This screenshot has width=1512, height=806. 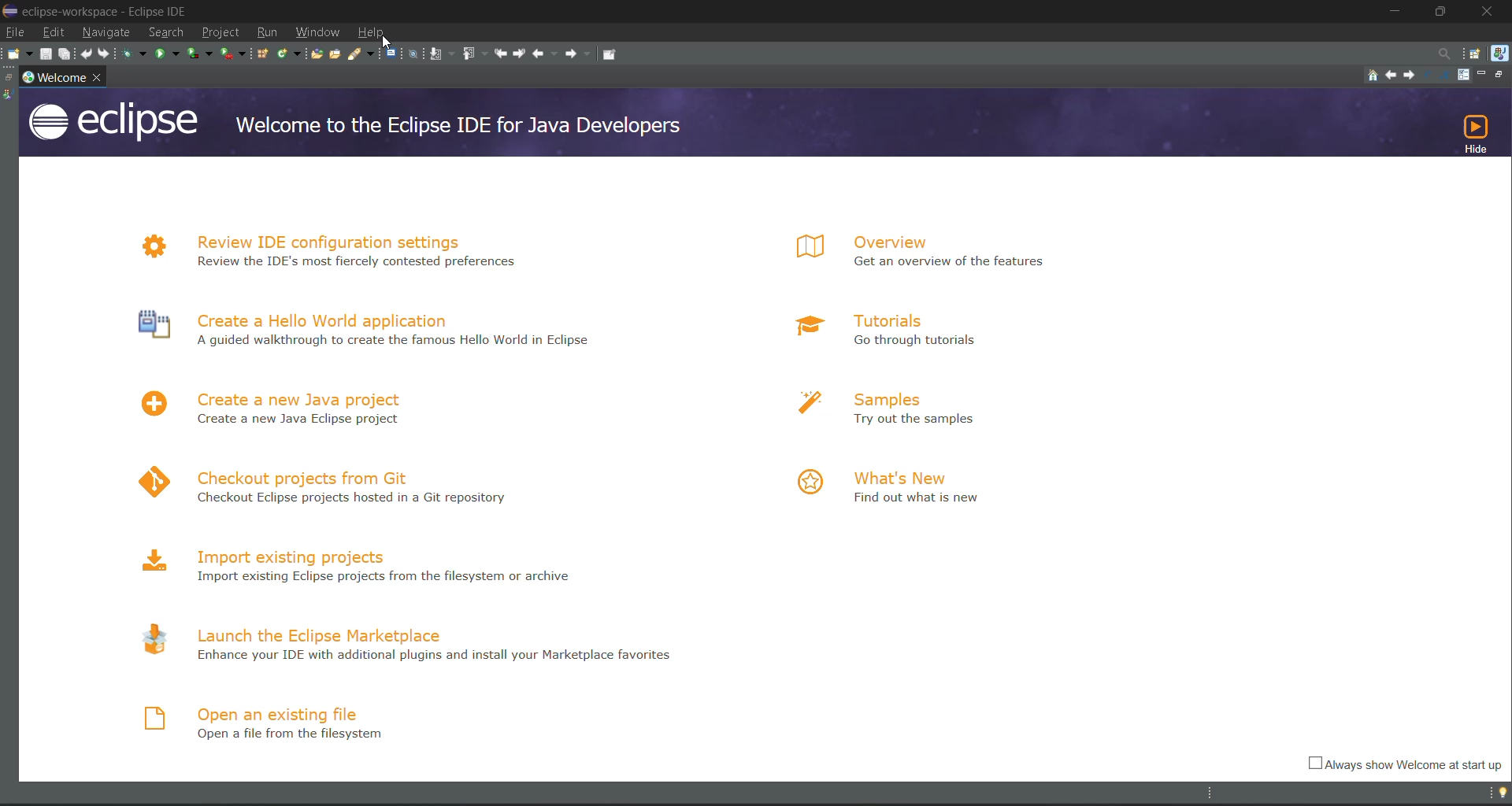 What do you see at coordinates (385, 41) in the screenshot?
I see `cursor` at bounding box center [385, 41].